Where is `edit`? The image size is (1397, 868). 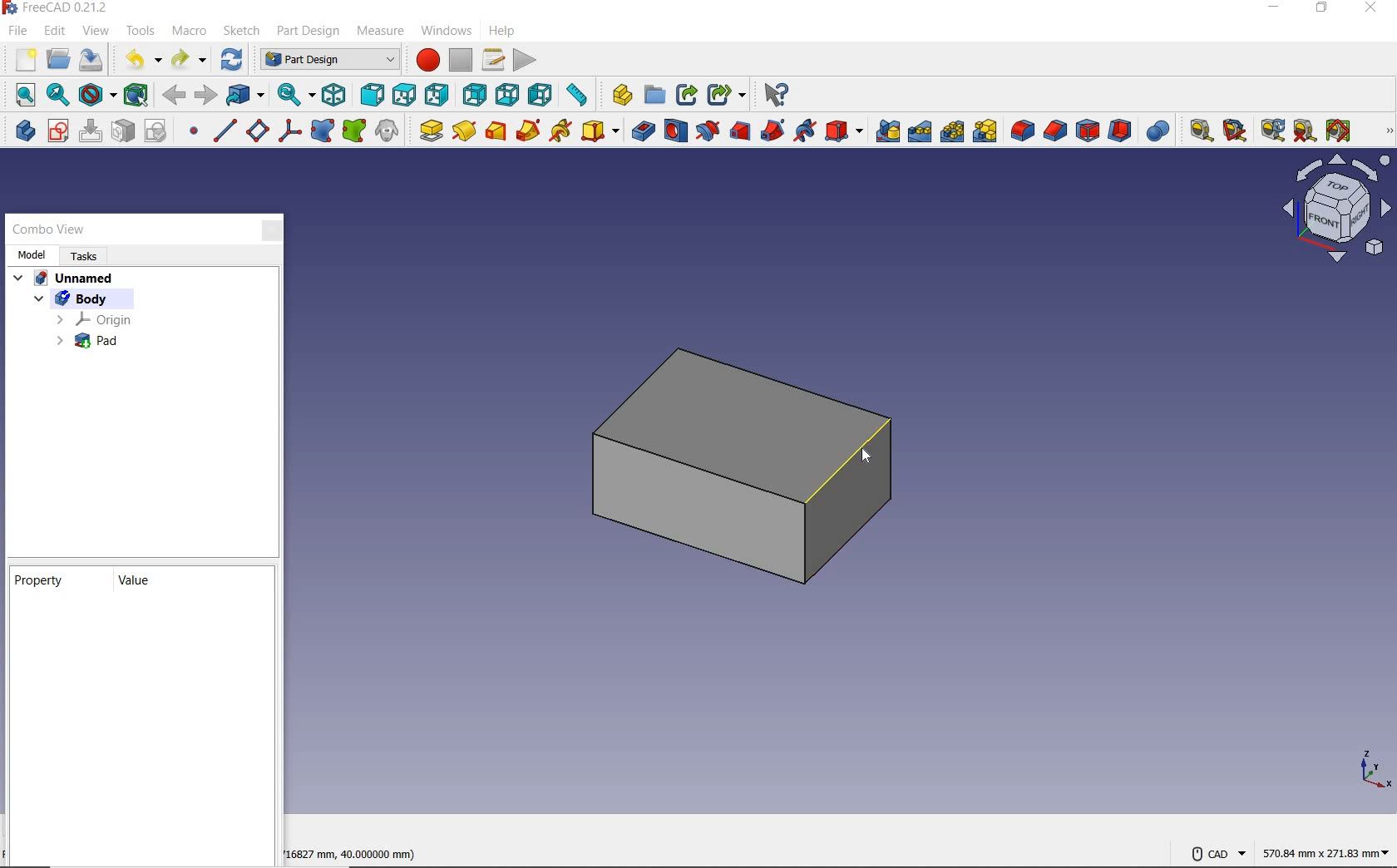
edit is located at coordinates (55, 31).